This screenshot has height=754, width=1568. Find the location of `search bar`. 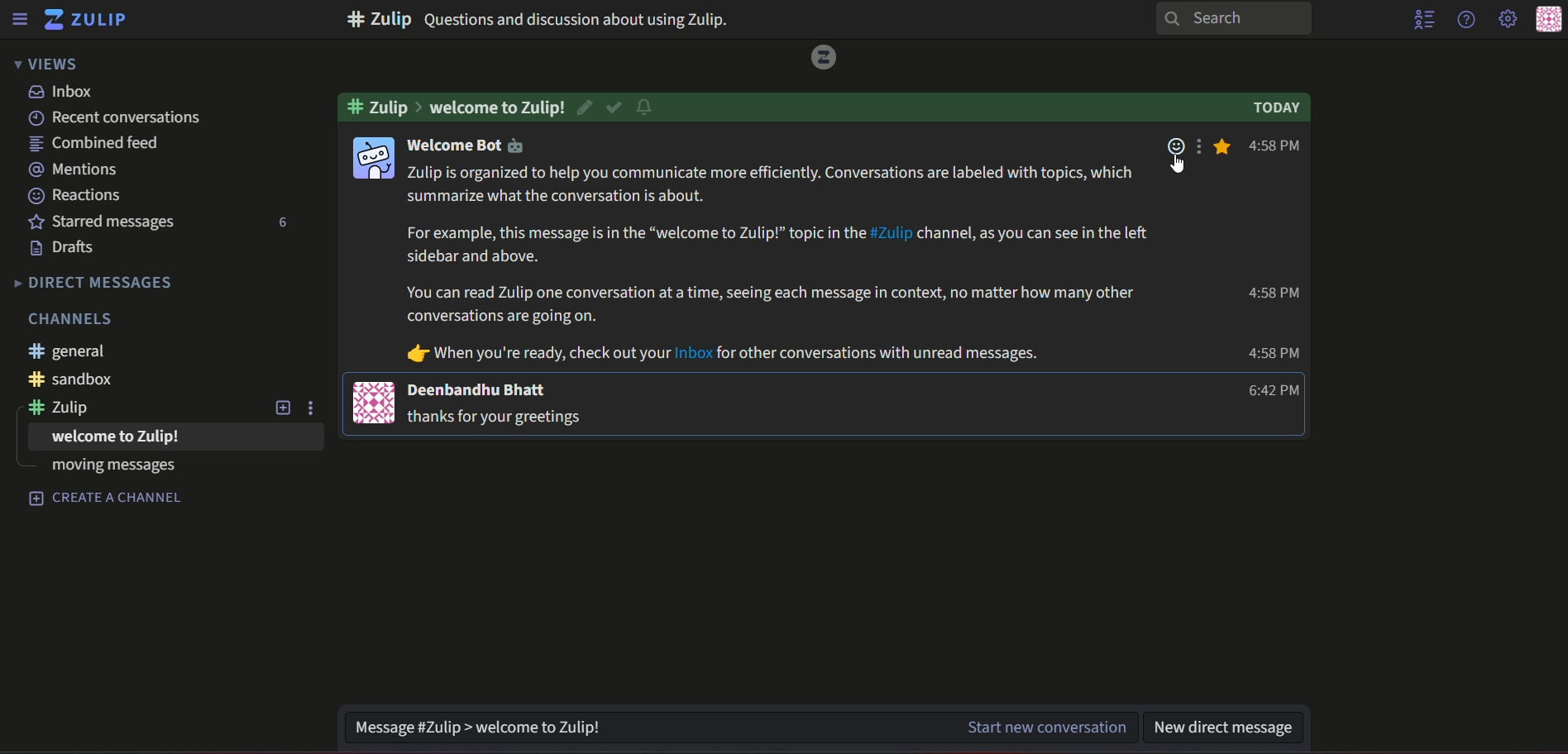

search bar is located at coordinates (1239, 19).